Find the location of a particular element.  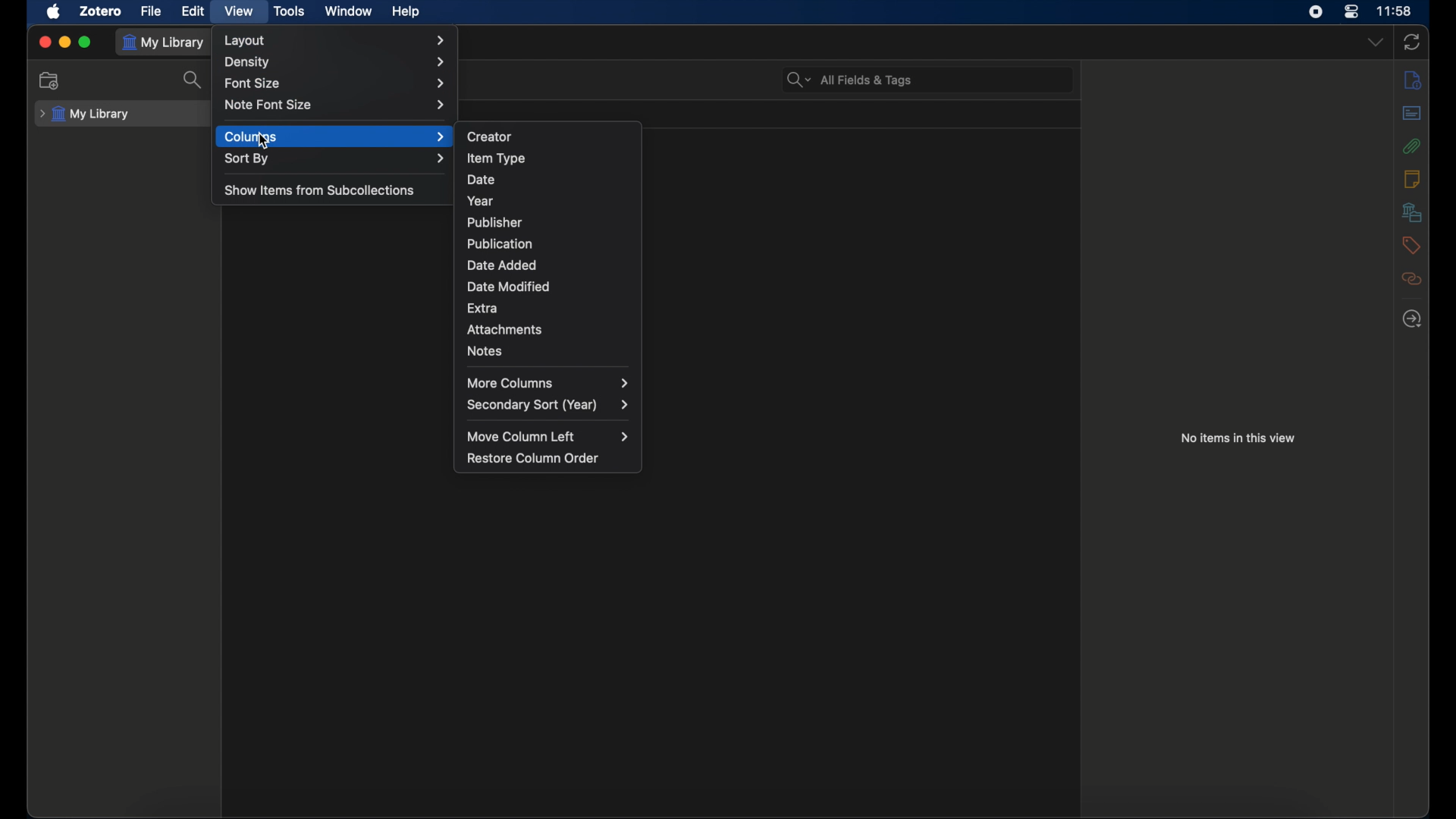

move column left is located at coordinates (548, 437).